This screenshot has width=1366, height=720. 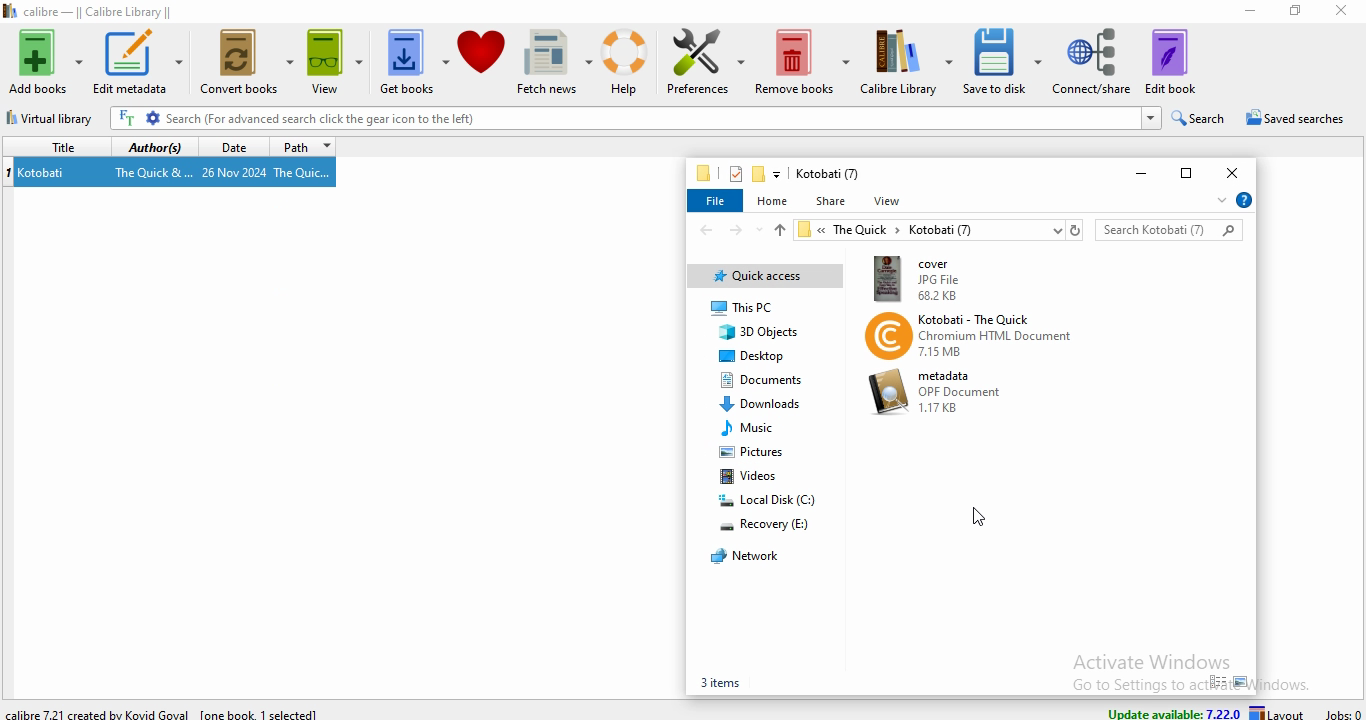 What do you see at coordinates (414, 63) in the screenshot?
I see `get books` at bounding box center [414, 63].